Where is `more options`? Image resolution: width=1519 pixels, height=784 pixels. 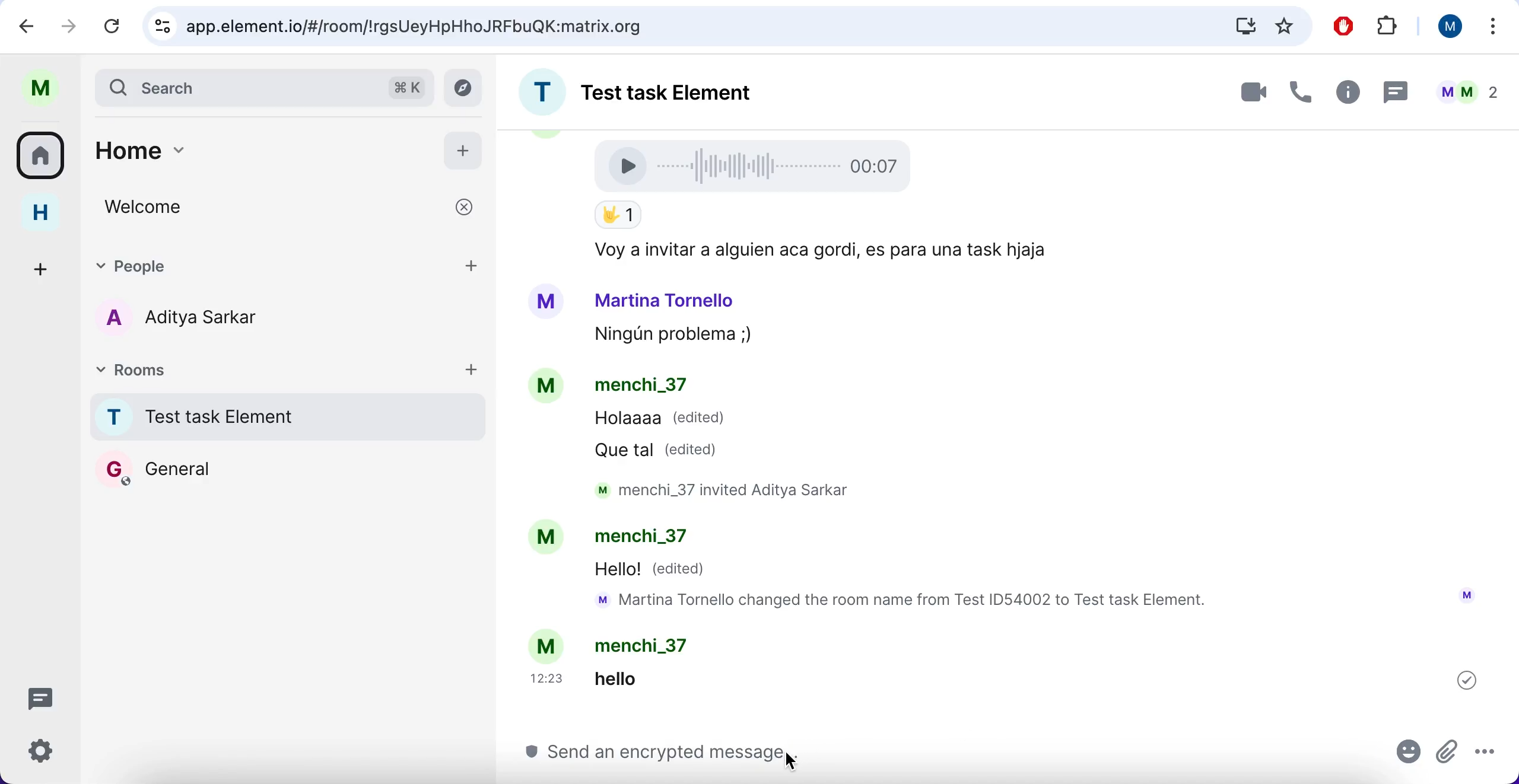 more options is located at coordinates (1491, 750).